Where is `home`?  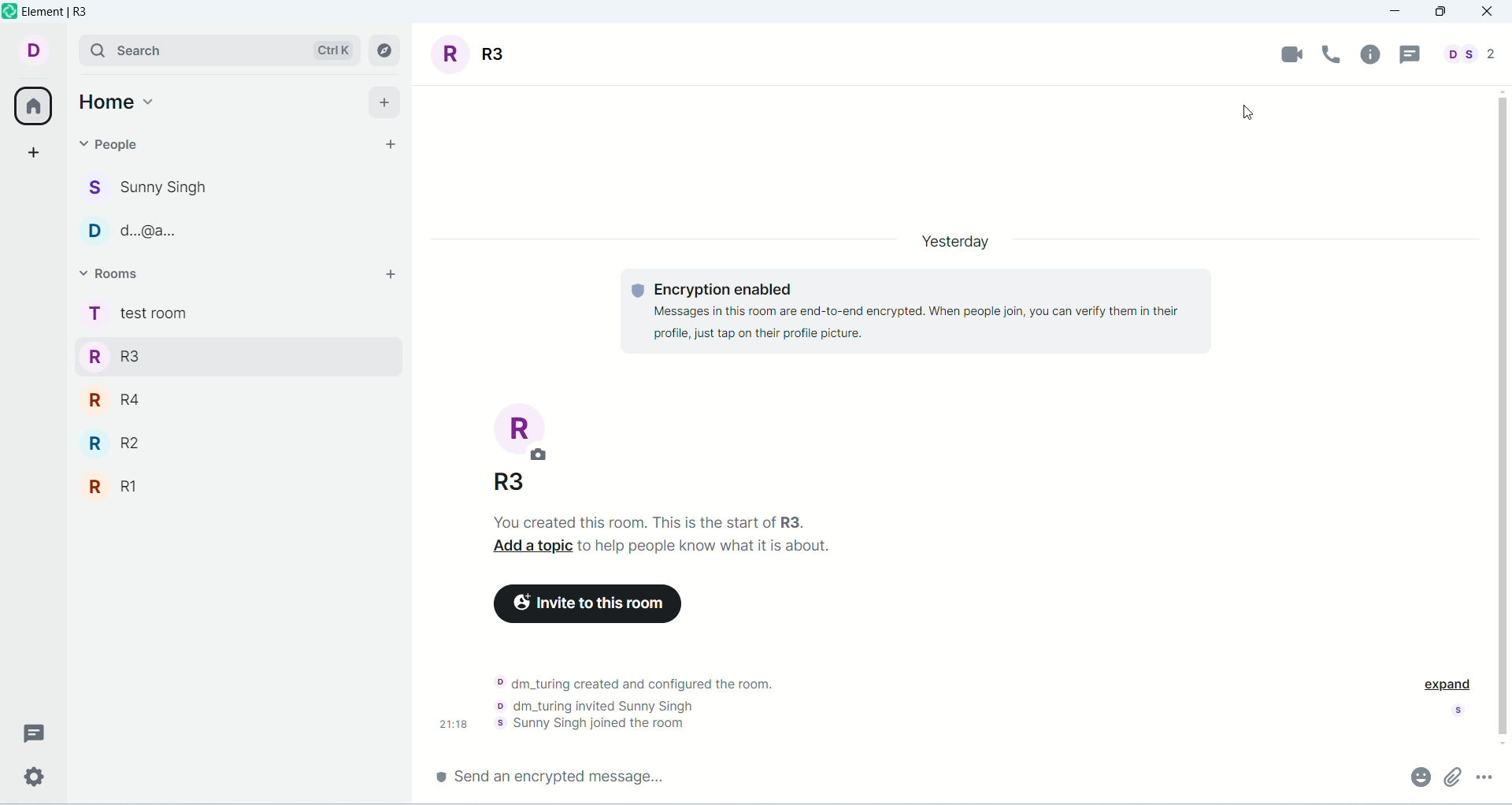
home is located at coordinates (121, 100).